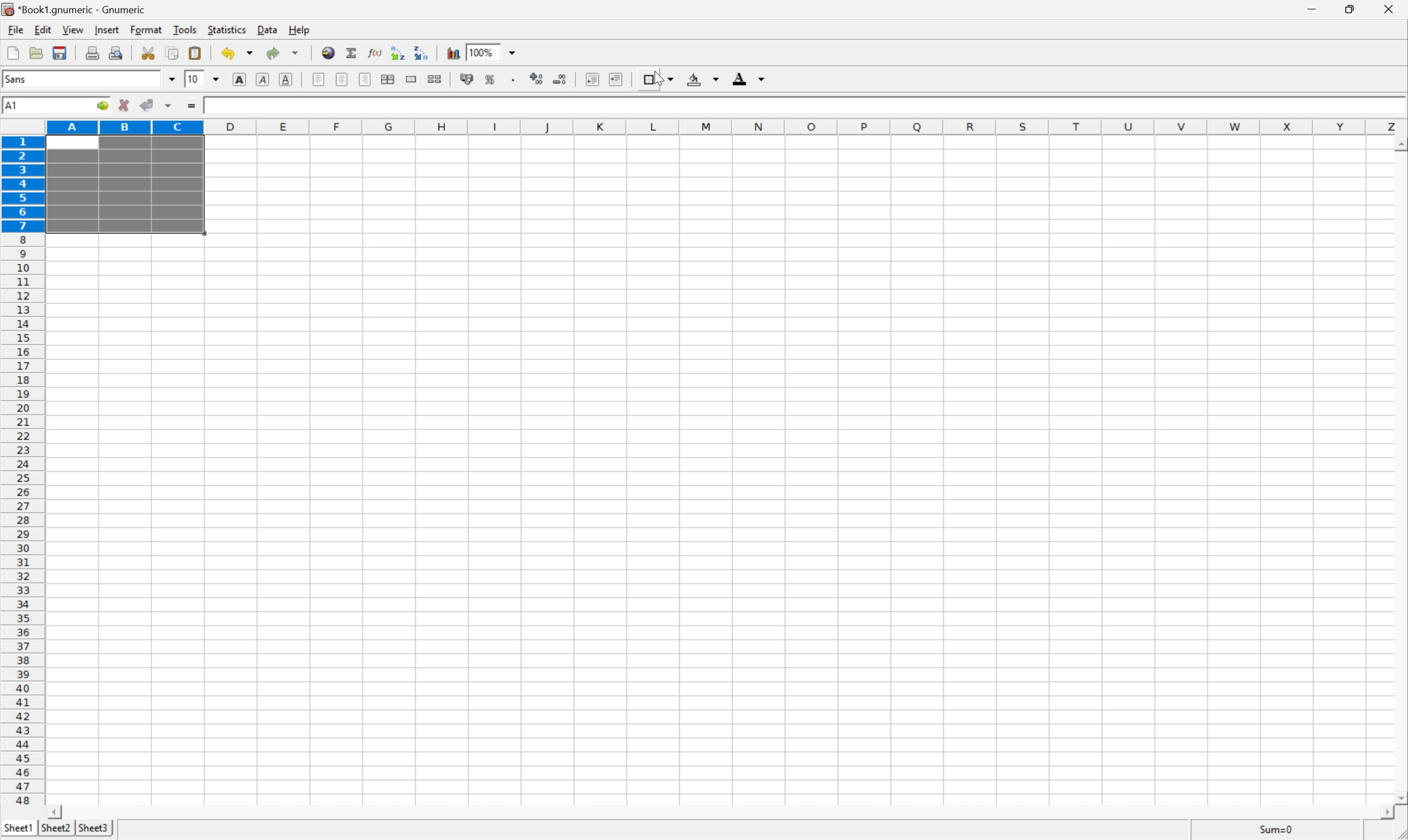 The height and width of the screenshot is (840, 1408). What do you see at coordinates (704, 78) in the screenshot?
I see `background color` at bounding box center [704, 78].